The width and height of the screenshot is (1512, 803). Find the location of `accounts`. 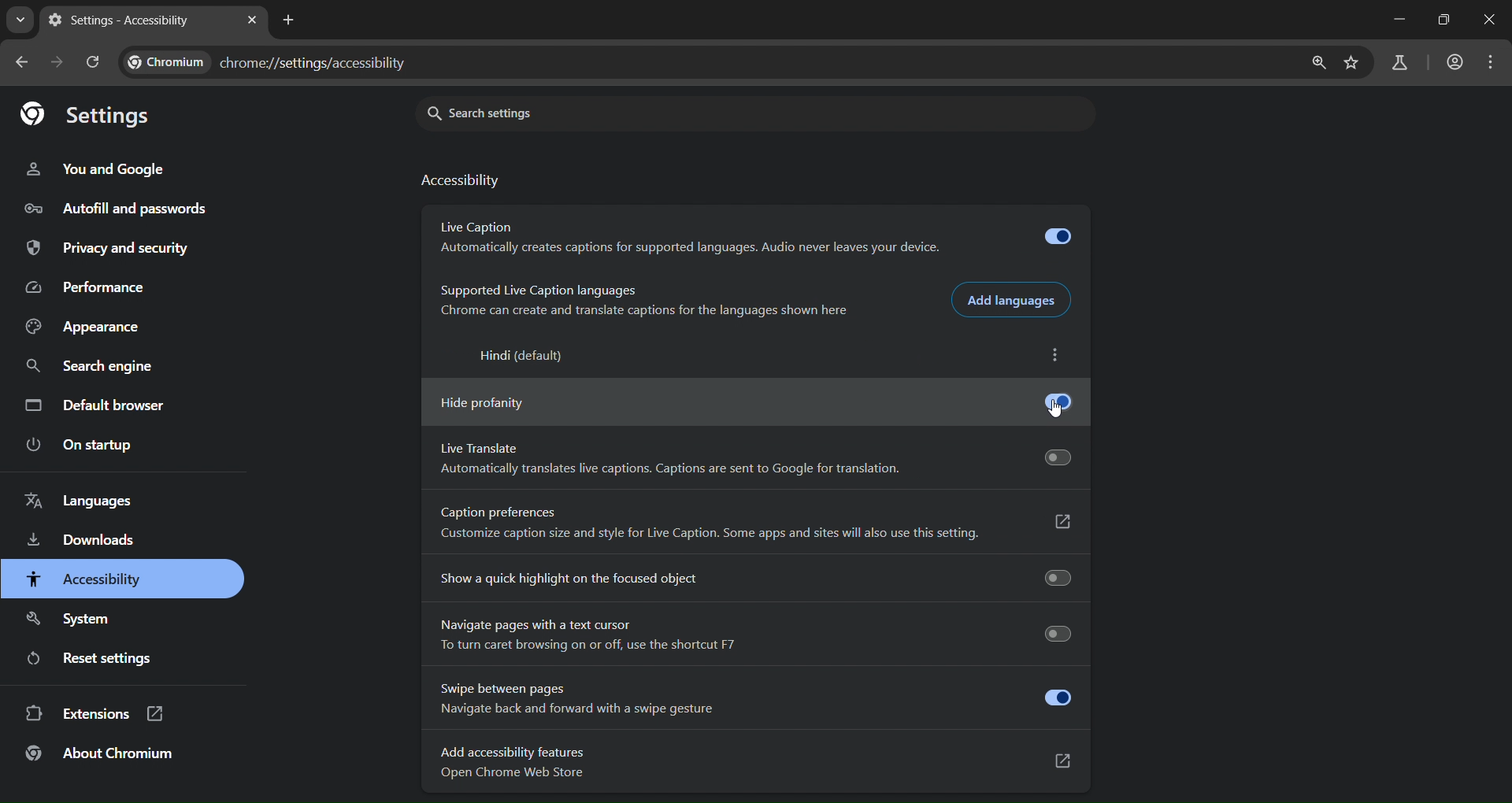

accounts is located at coordinates (1454, 62).